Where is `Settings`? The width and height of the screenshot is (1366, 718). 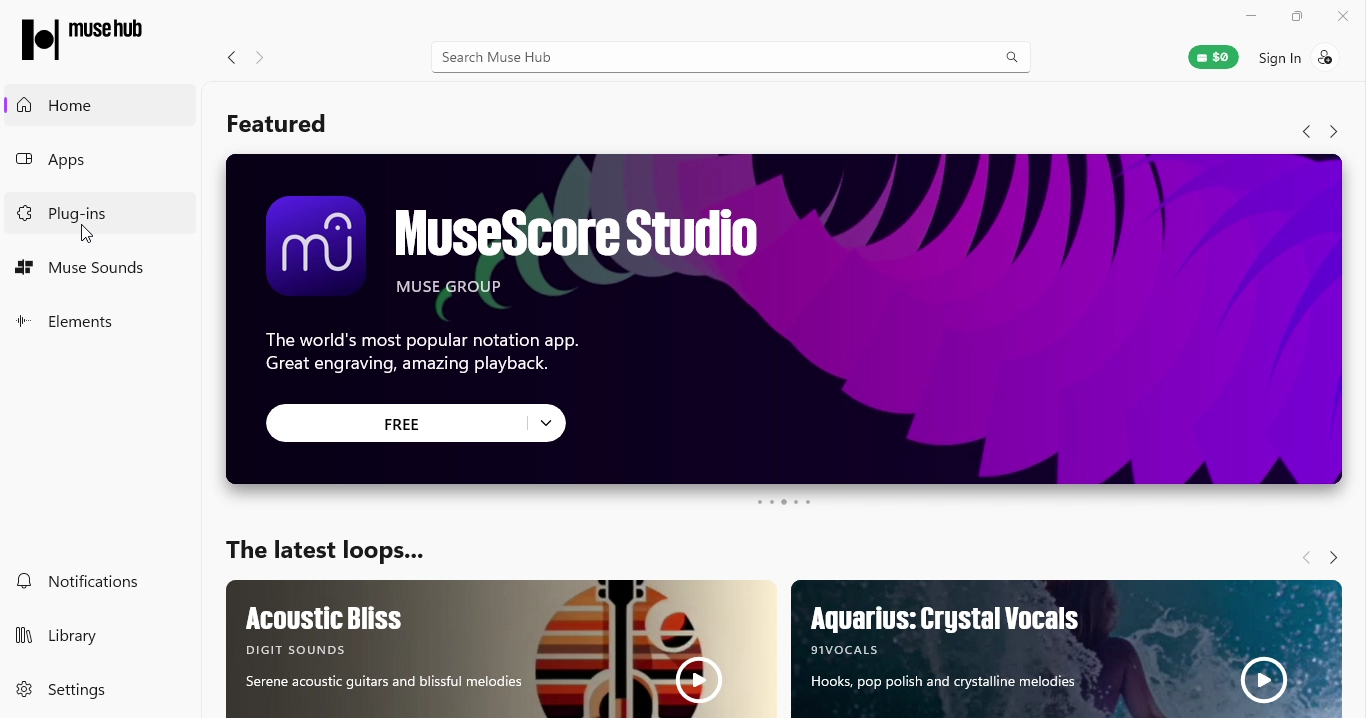 Settings is located at coordinates (82, 689).